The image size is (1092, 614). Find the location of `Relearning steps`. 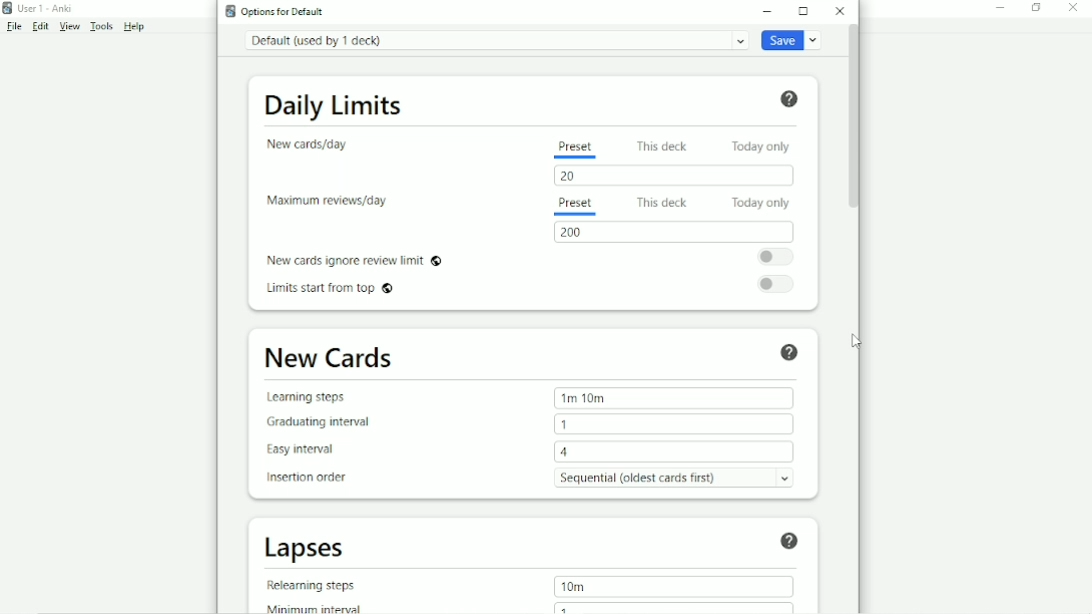

Relearning steps is located at coordinates (313, 586).